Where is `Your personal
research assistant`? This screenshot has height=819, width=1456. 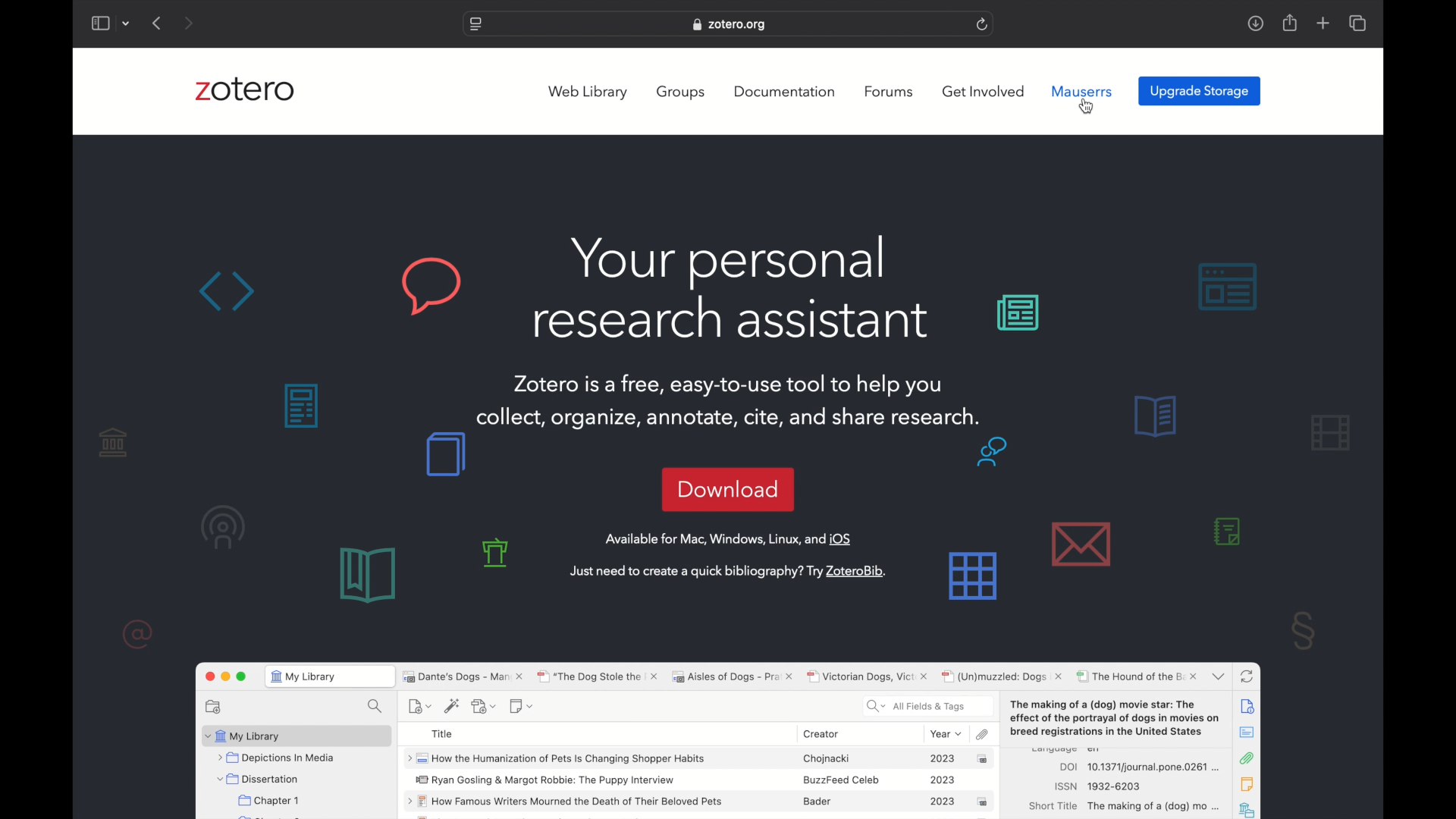 Your personal
research assistant is located at coordinates (736, 286).